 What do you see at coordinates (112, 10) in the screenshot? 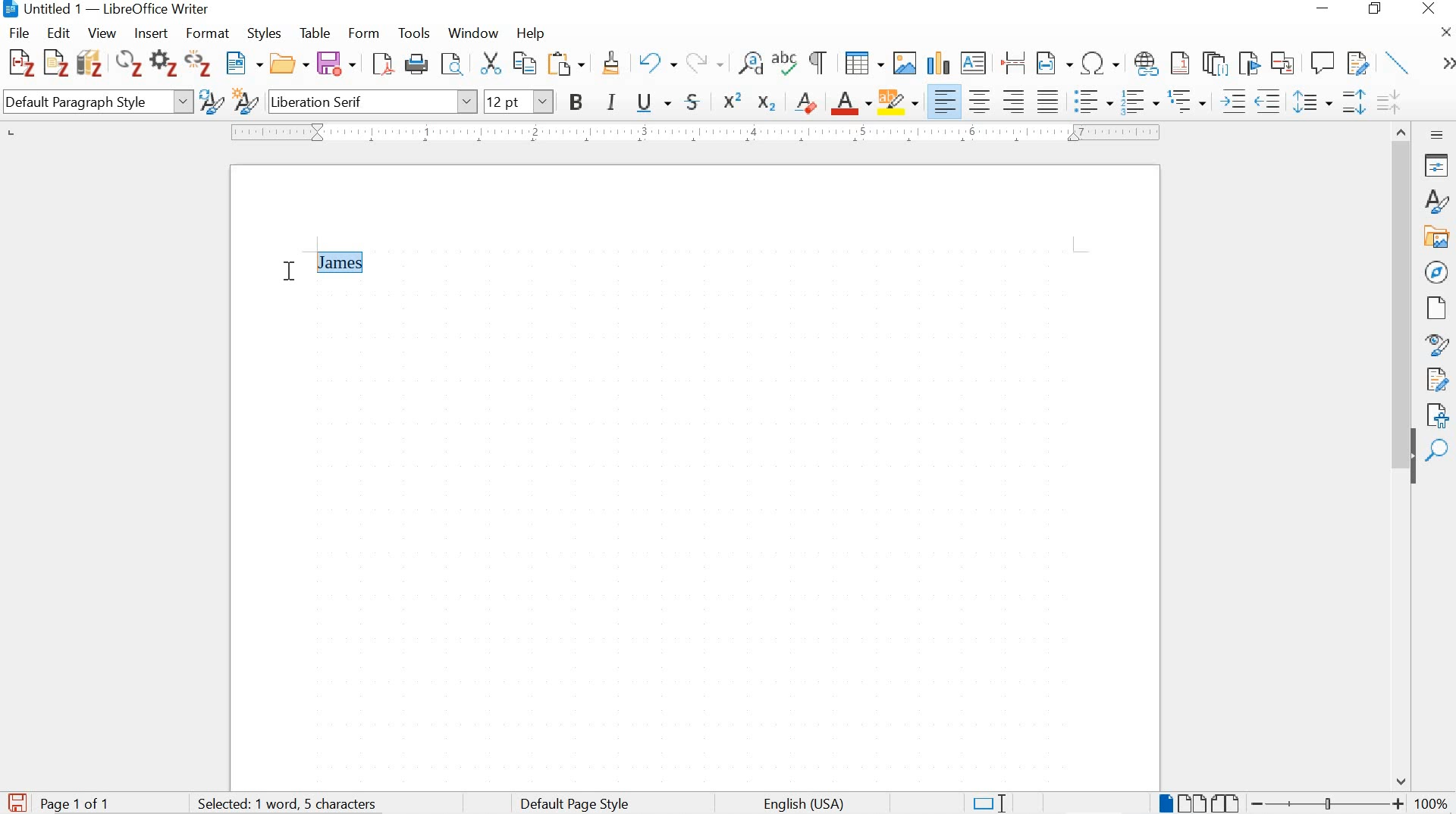
I see `Untitled 1 — LibreOffice Writer` at bounding box center [112, 10].